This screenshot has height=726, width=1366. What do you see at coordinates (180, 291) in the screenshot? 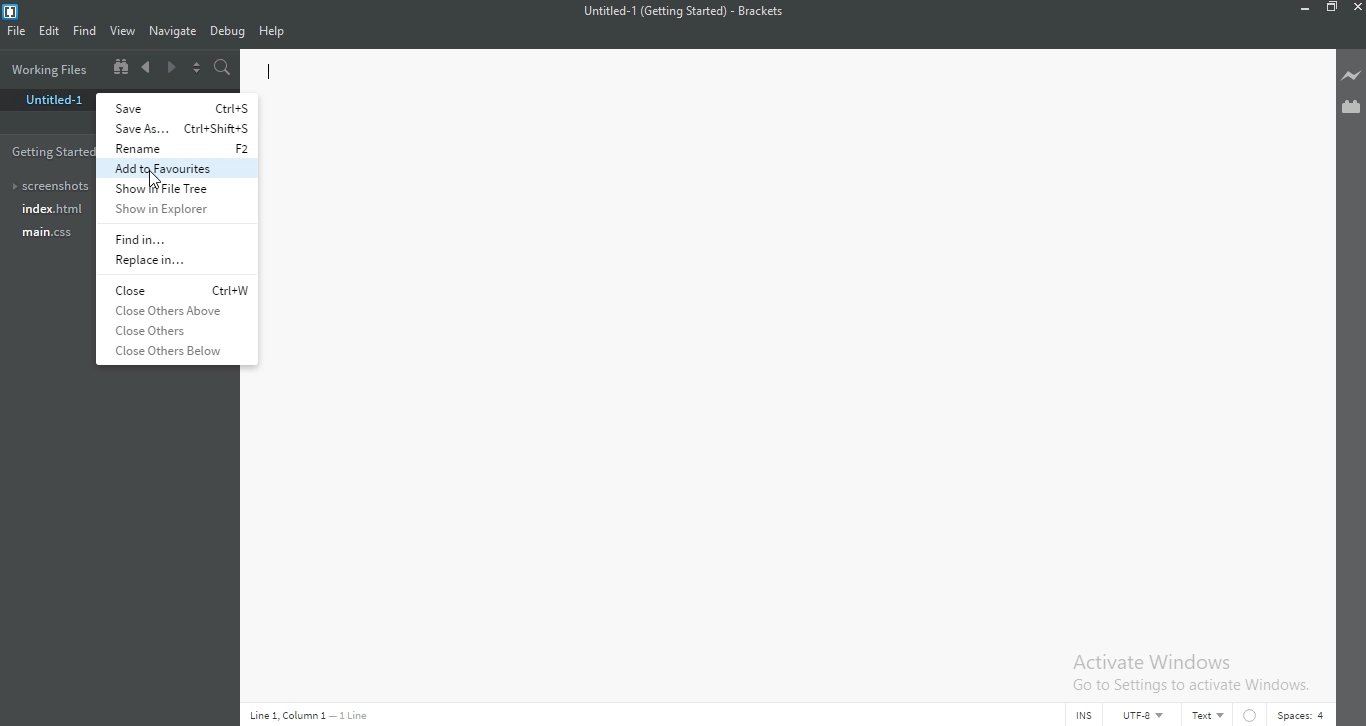
I see `close` at bounding box center [180, 291].